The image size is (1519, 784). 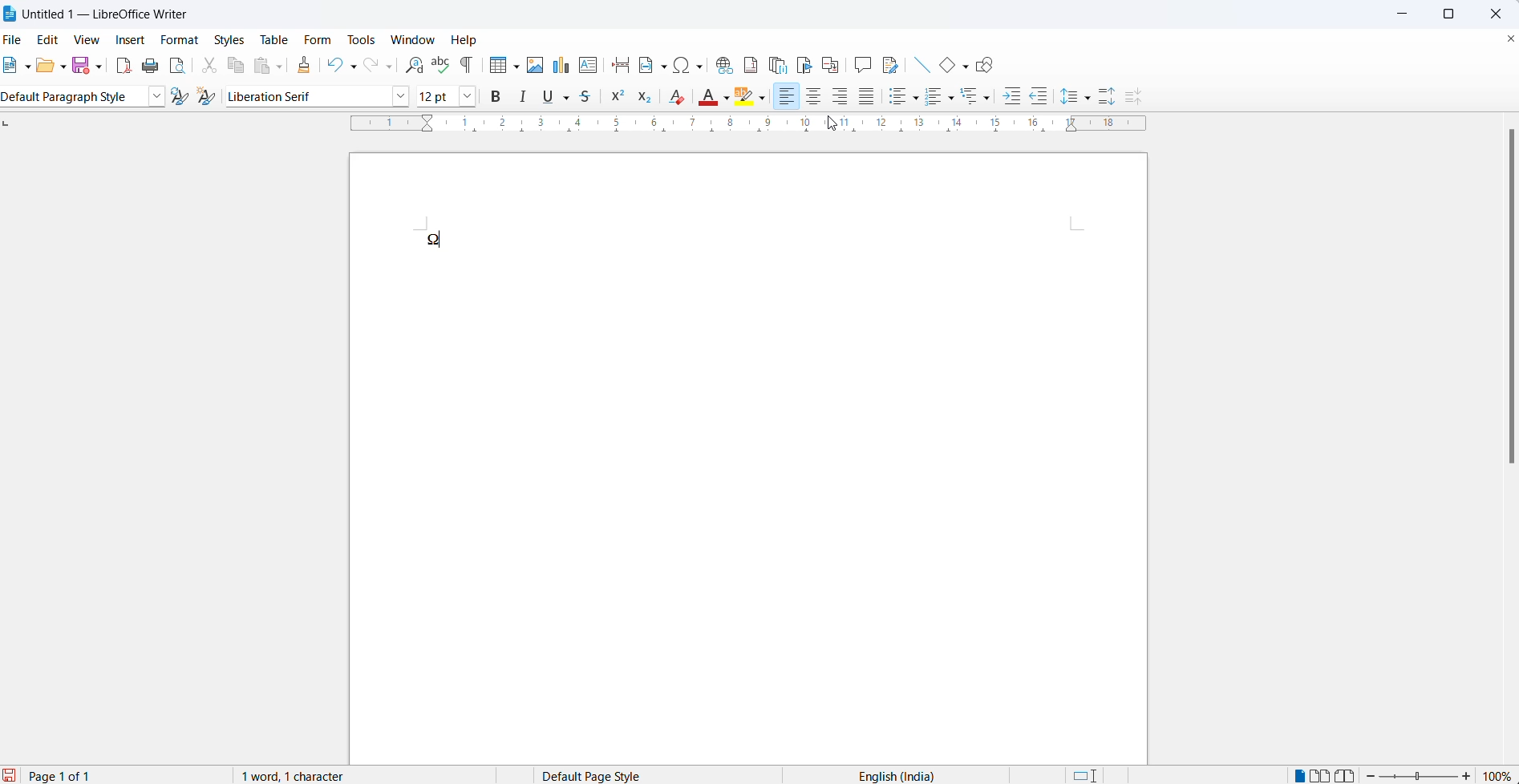 I want to click on cursor, so click(x=833, y=123).